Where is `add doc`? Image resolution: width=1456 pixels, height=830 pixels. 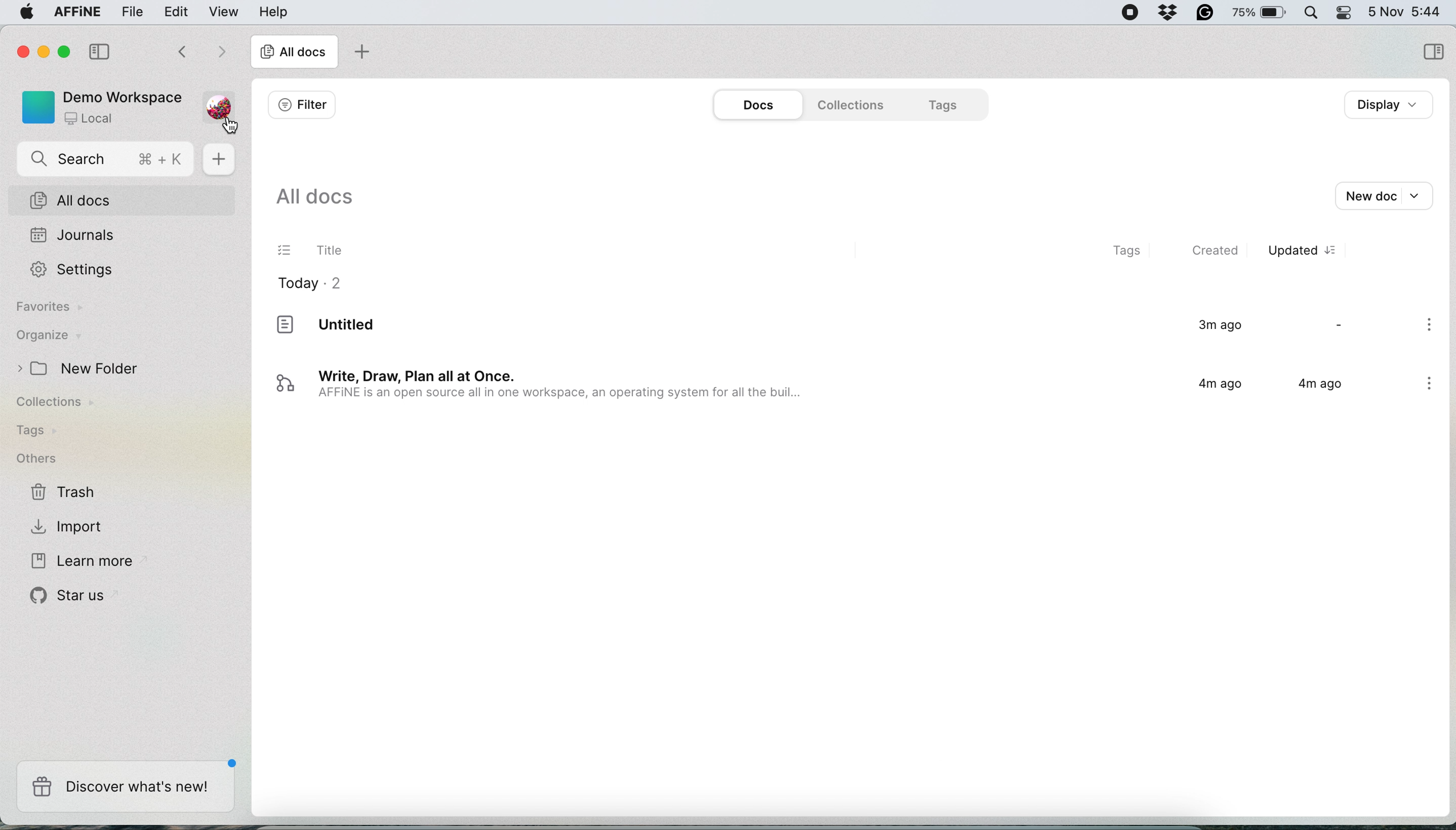
add doc is located at coordinates (360, 54).